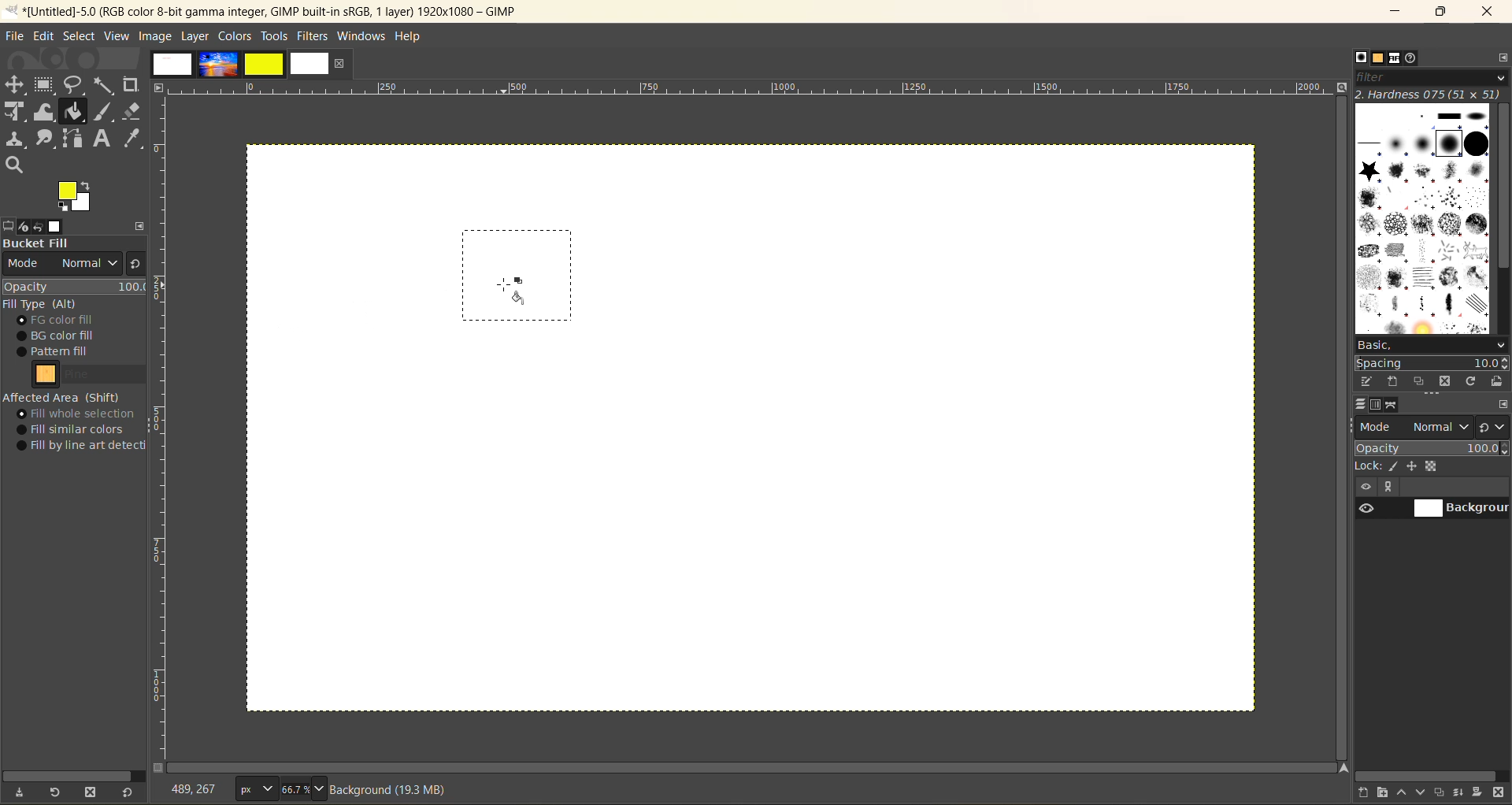  Describe the element at coordinates (1430, 95) in the screenshot. I see `hardness` at that location.